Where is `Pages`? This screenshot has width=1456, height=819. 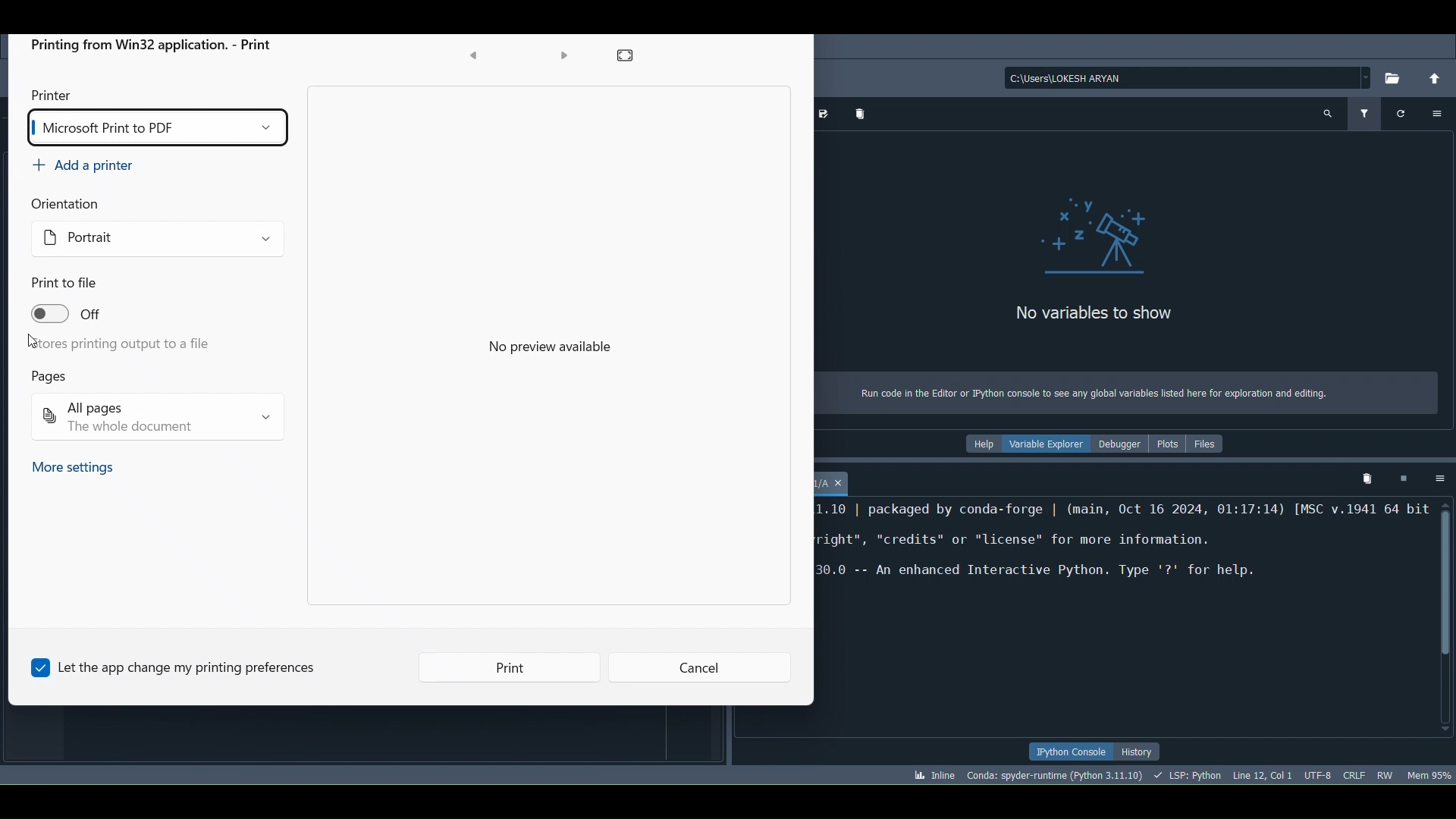
Pages is located at coordinates (49, 377).